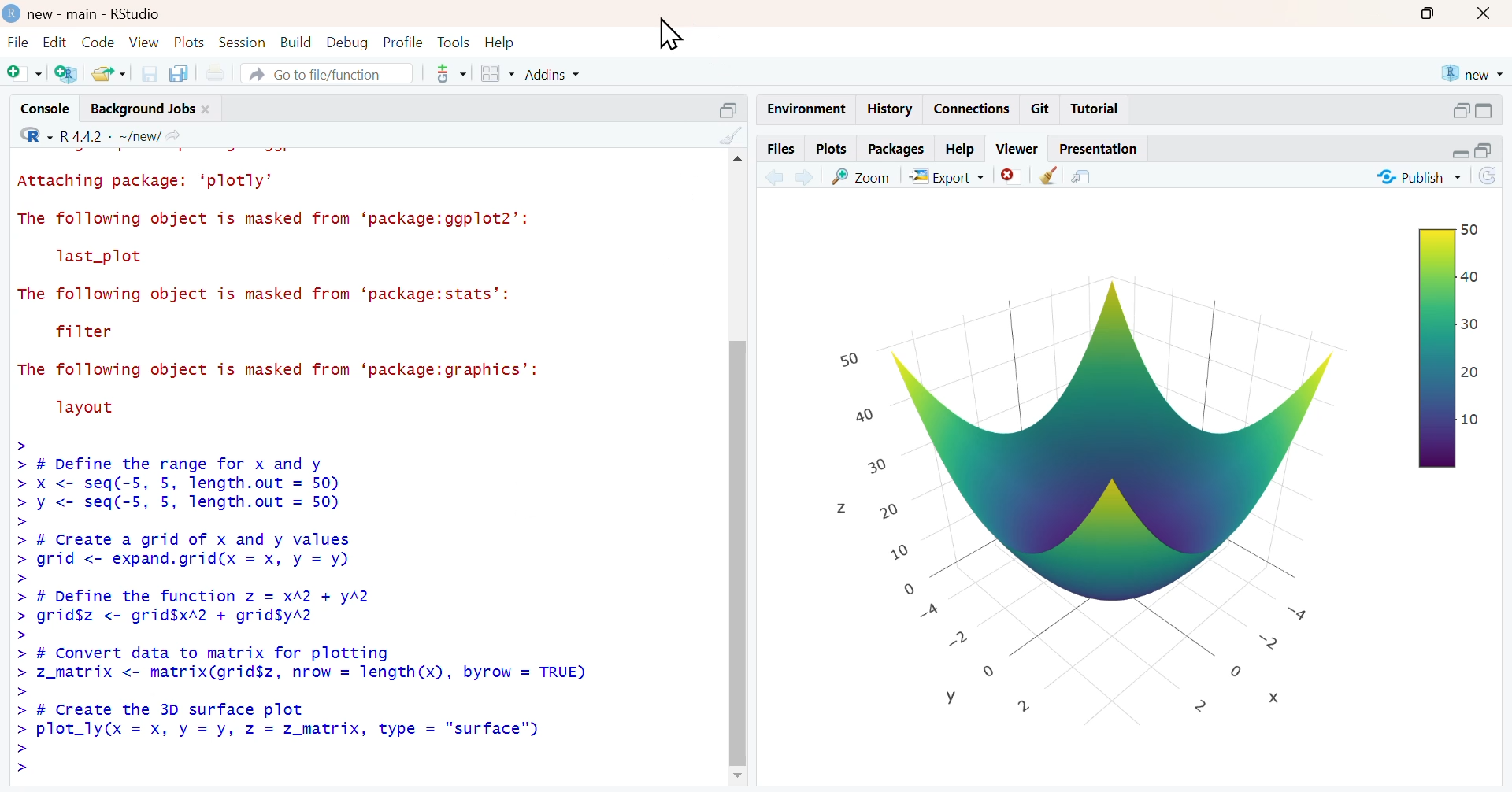 The width and height of the screenshot is (1512, 792). I want to click on # Define the range for X and y , so click(169, 463).